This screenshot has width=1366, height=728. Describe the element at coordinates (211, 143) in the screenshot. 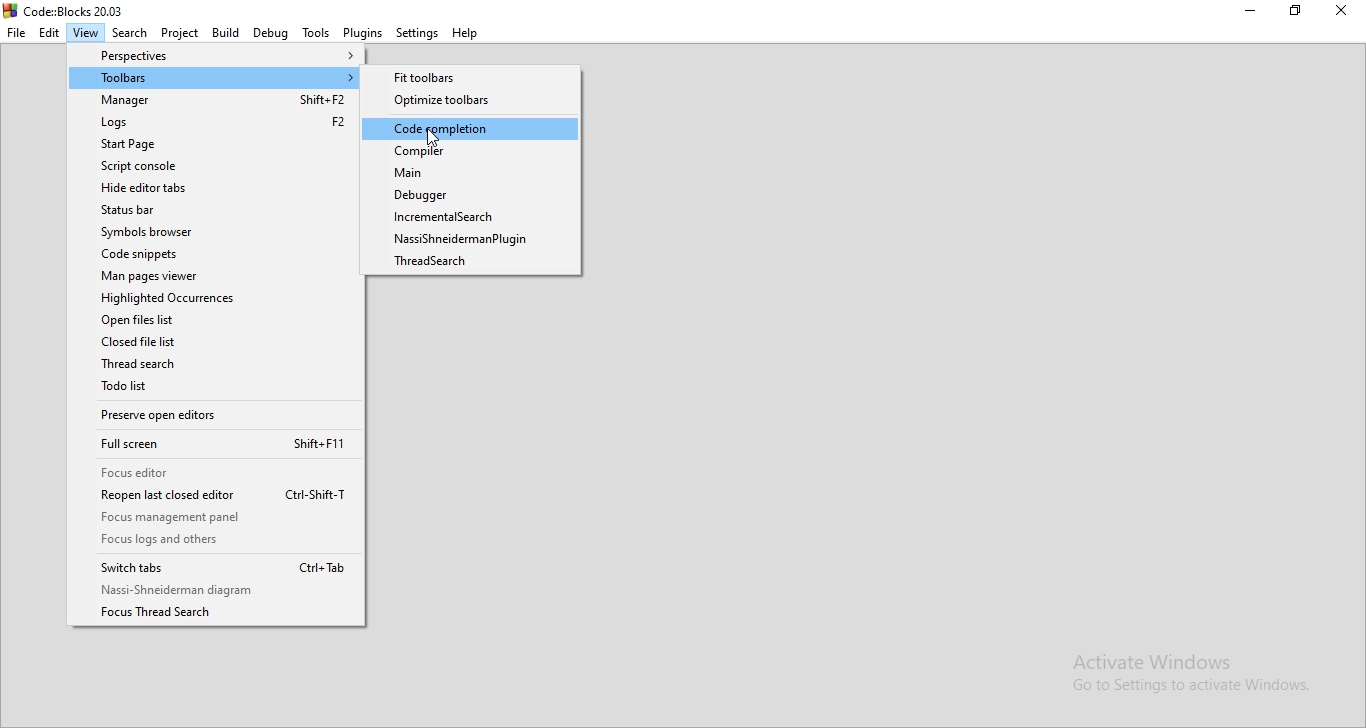

I see `Start Page` at that location.